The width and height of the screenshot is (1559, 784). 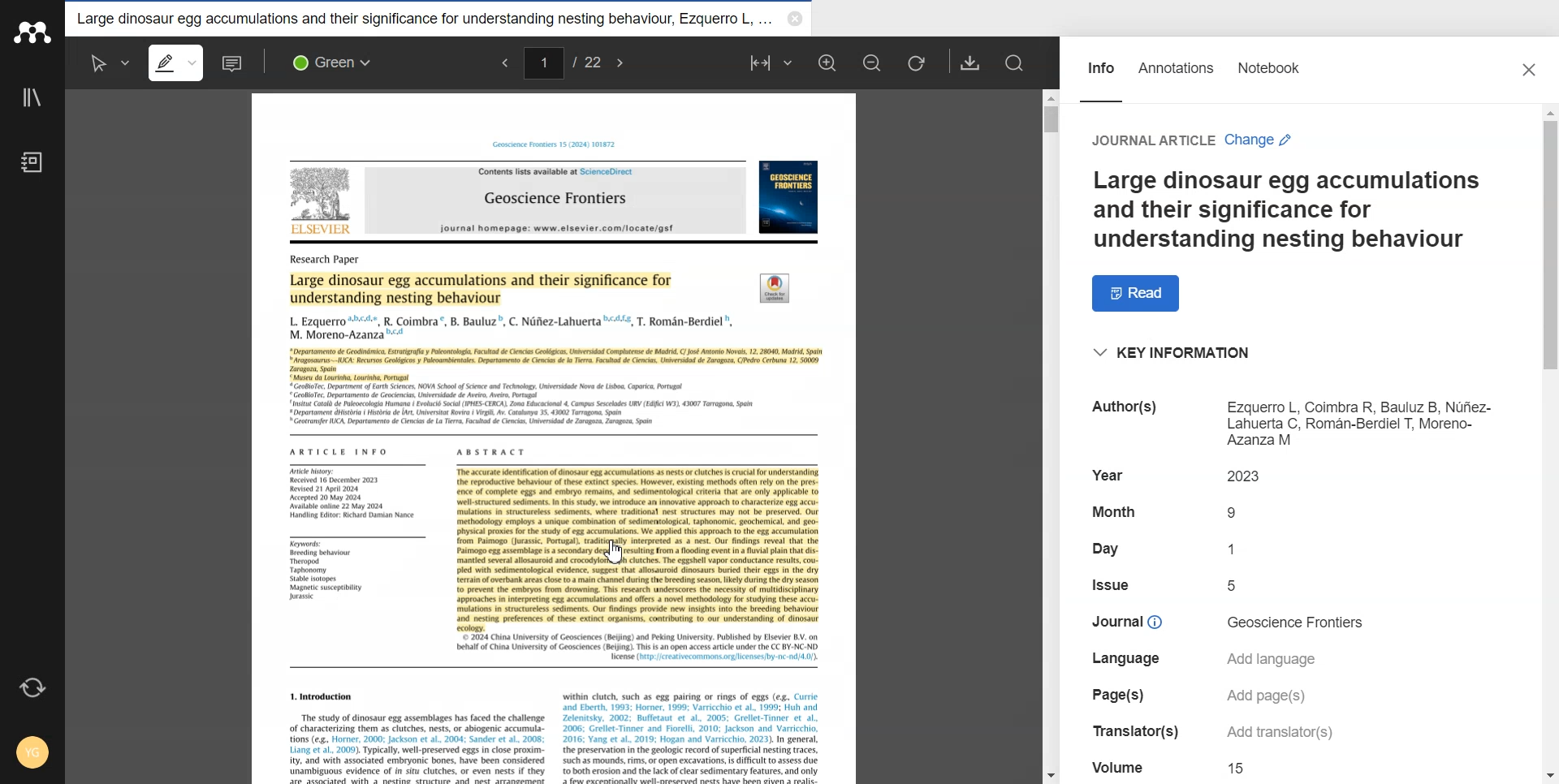 What do you see at coordinates (1128, 731) in the screenshot?
I see `text` at bounding box center [1128, 731].